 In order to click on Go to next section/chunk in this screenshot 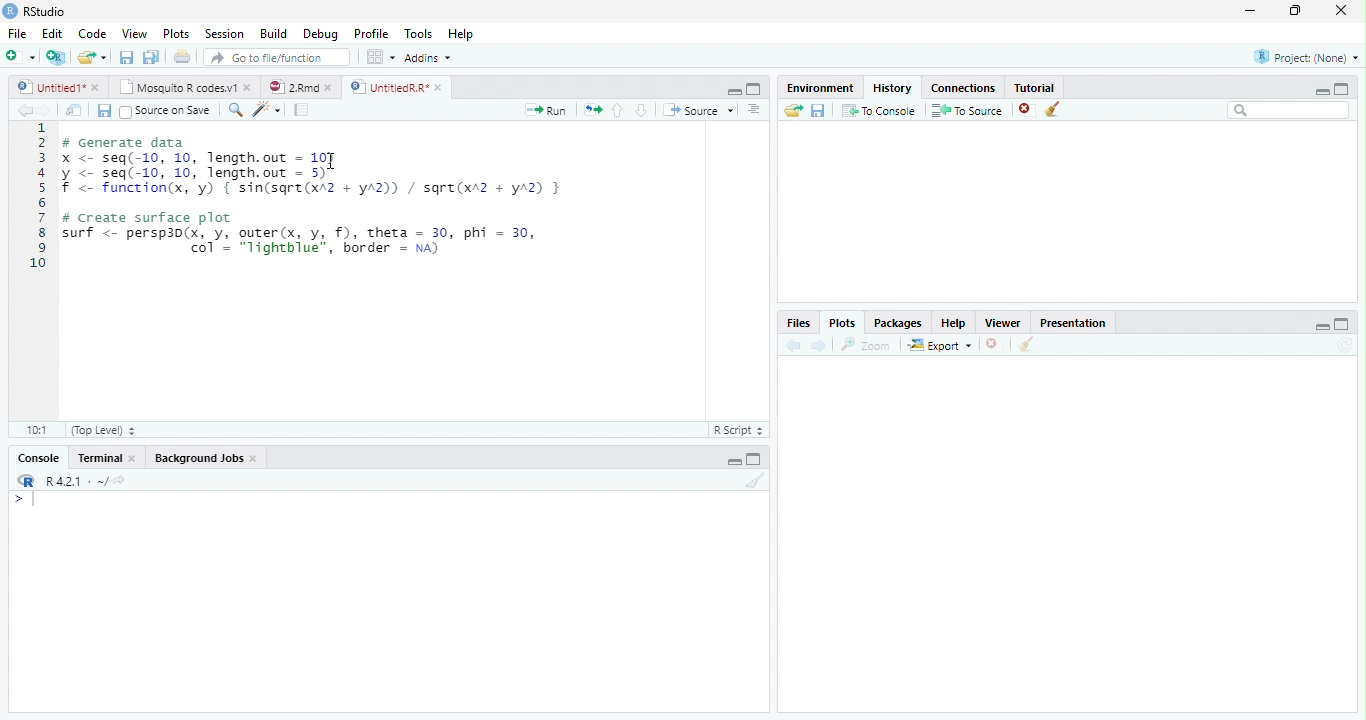, I will do `click(641, 109)`.